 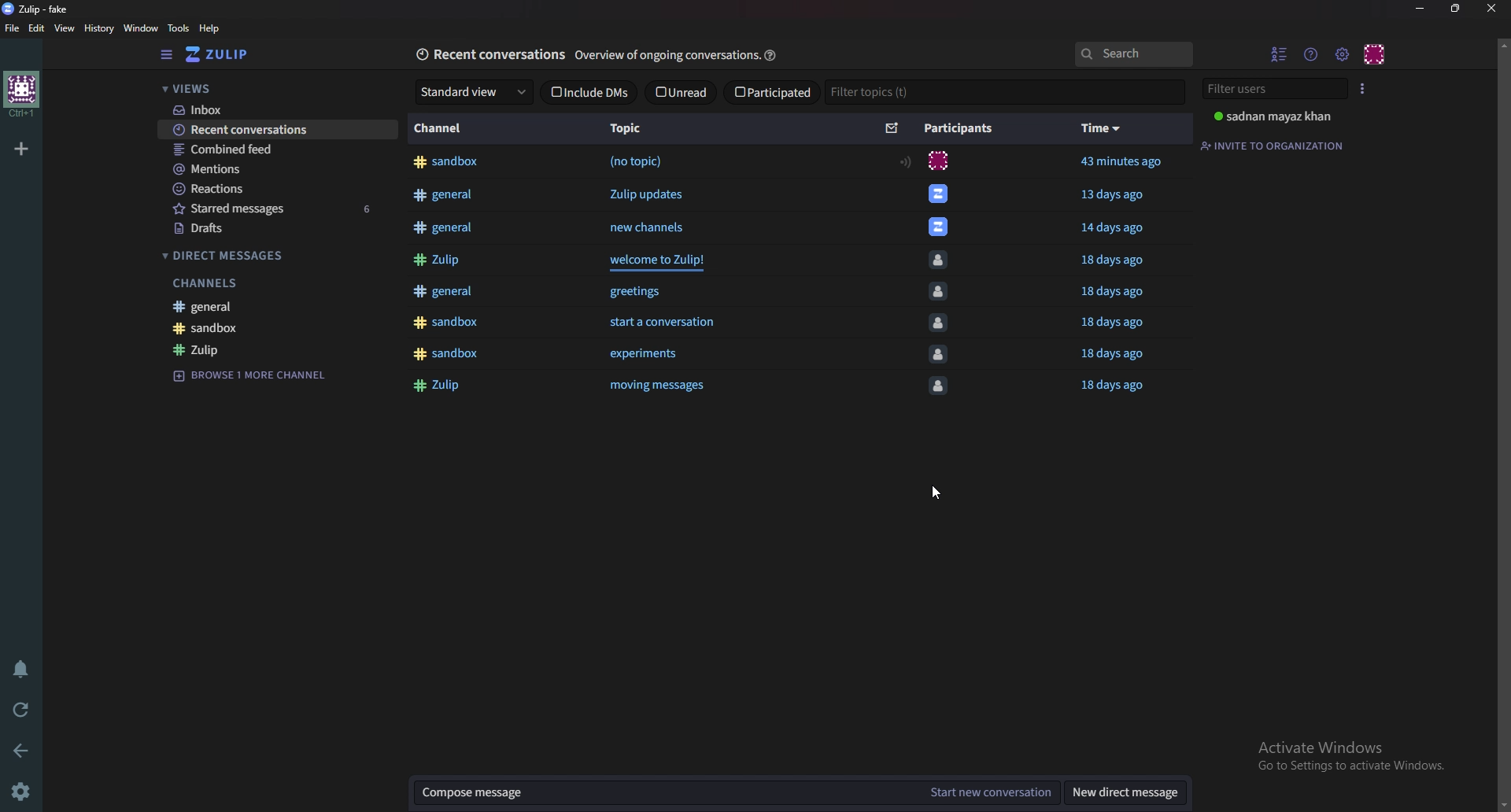 I want to click on 43 minutes ago, so click(x=1130, y=163).